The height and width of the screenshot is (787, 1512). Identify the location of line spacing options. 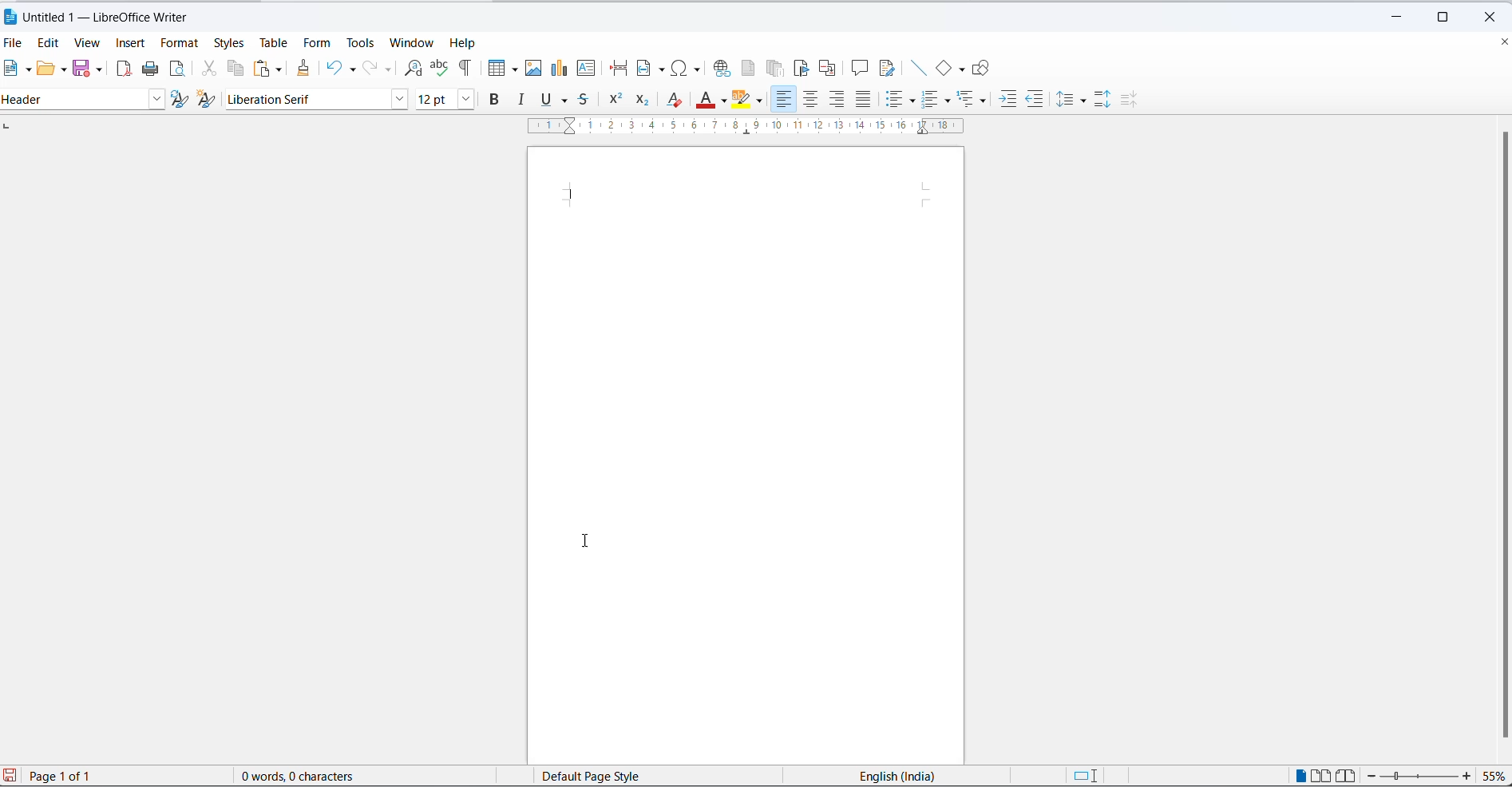
(1086, 100).